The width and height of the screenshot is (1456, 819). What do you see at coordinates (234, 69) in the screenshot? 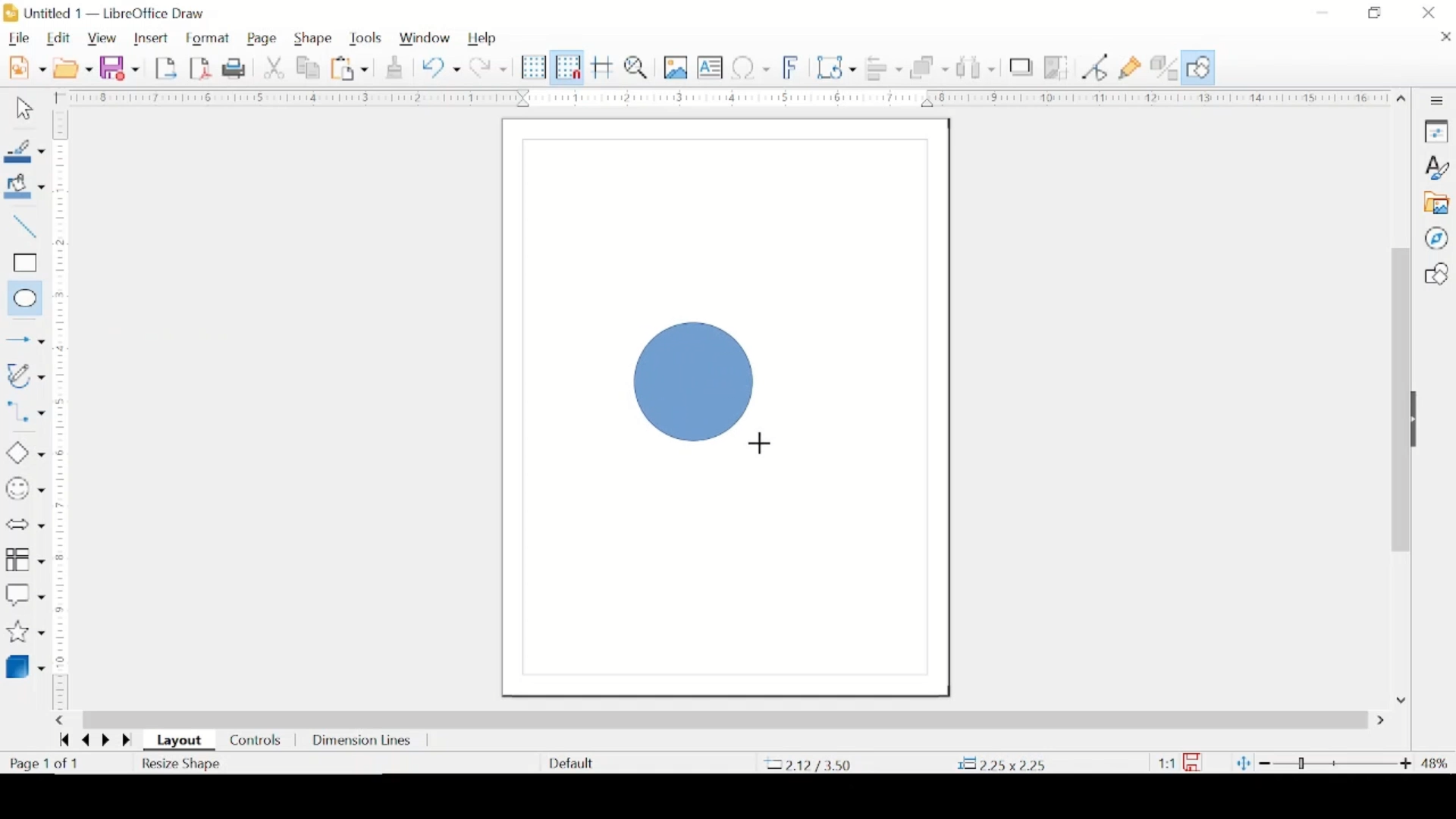
I see `print` at bounding box center [234, 69].